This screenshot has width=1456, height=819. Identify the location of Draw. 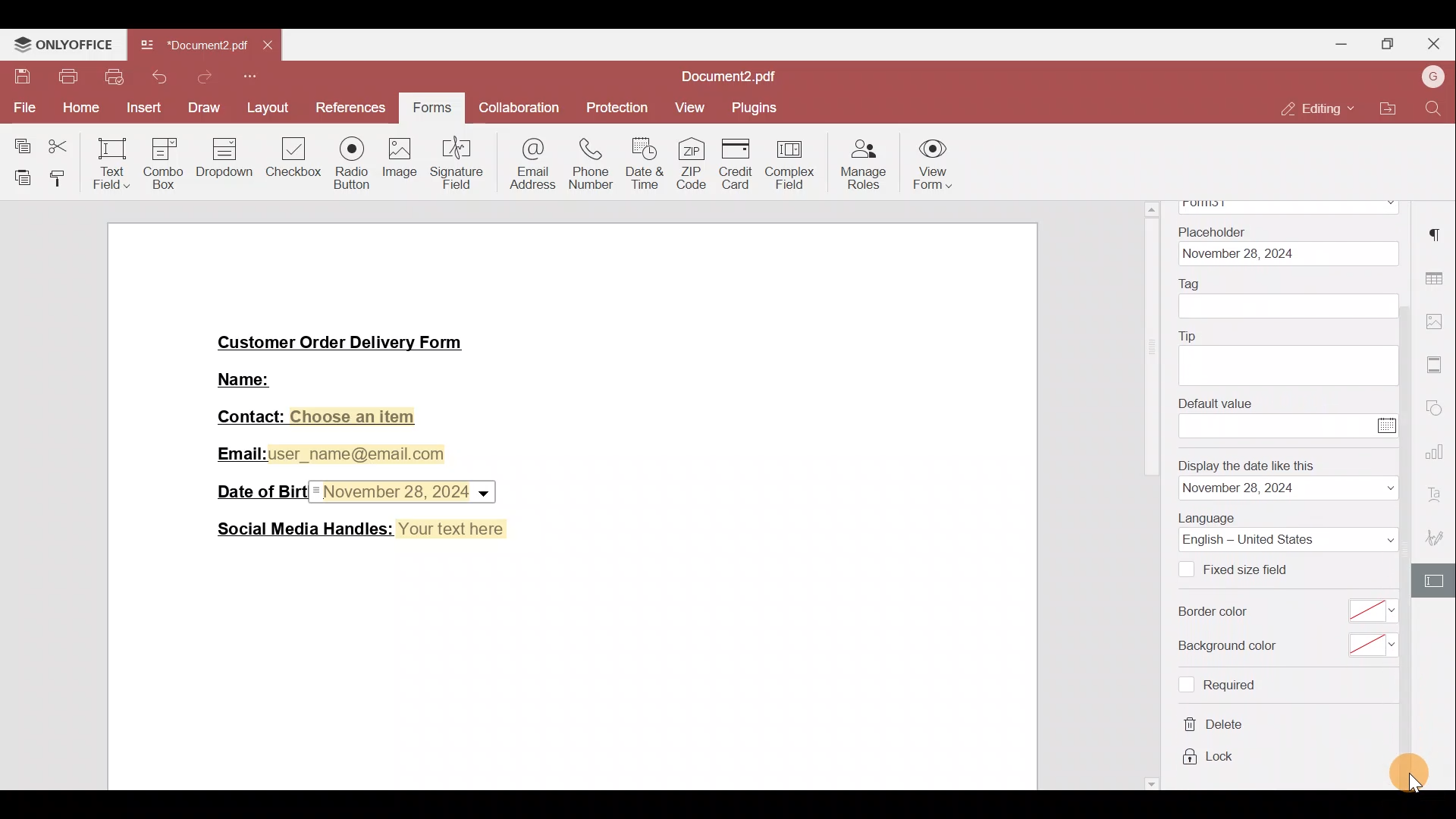
(202, 107).